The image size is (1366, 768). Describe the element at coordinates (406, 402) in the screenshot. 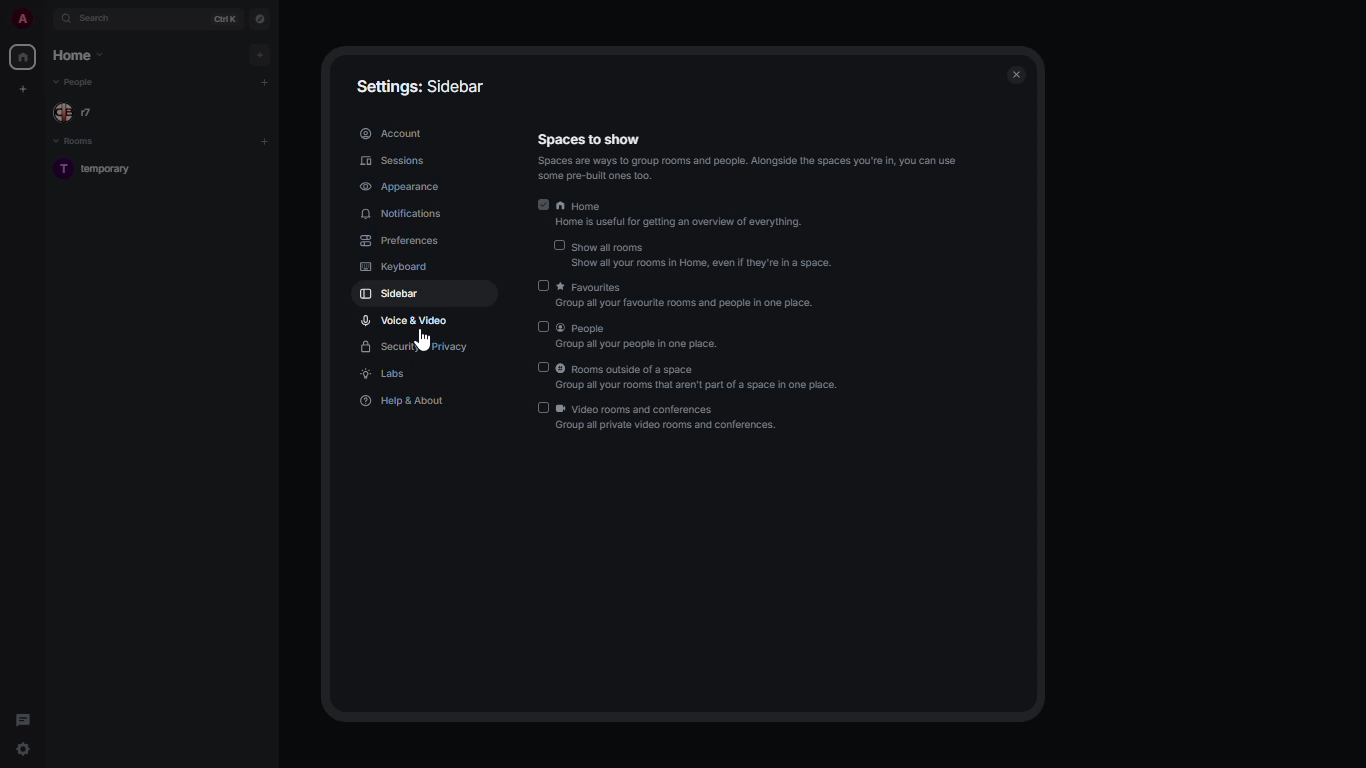

I see `help & about` at that location.